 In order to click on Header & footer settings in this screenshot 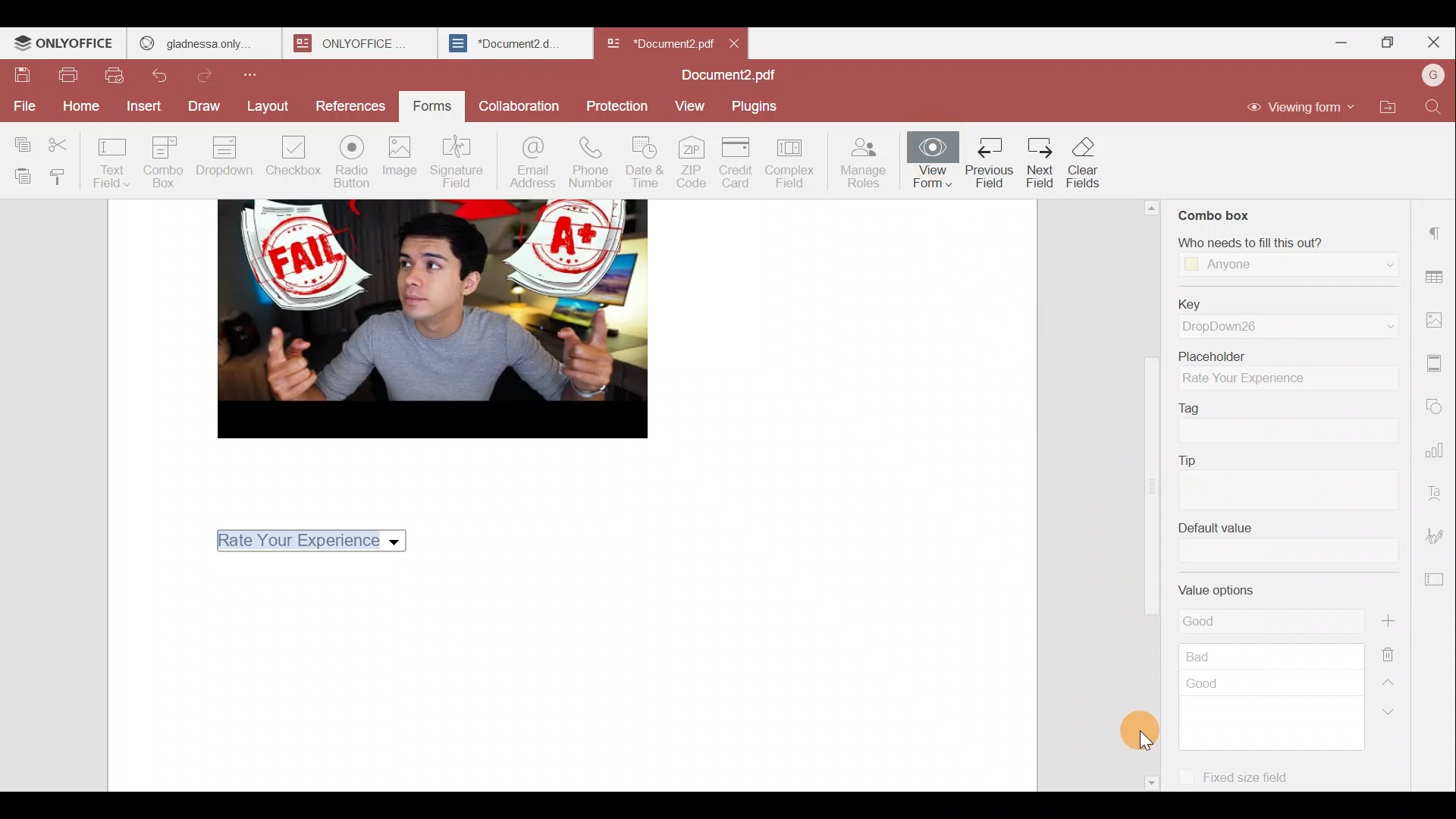, I will do `click(1436, 364)`.